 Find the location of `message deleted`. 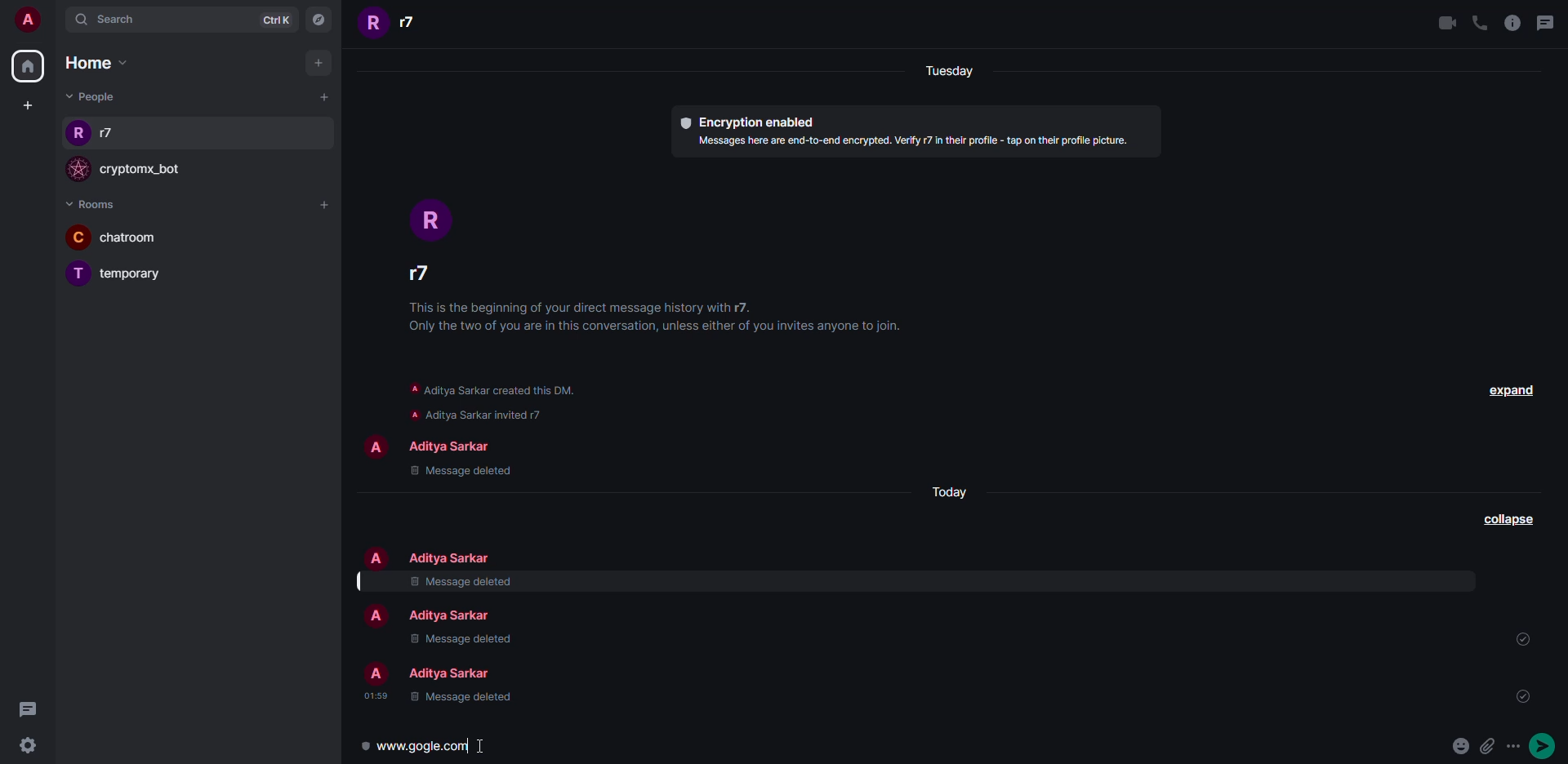

message deleted is located at coordinates (467, 698).